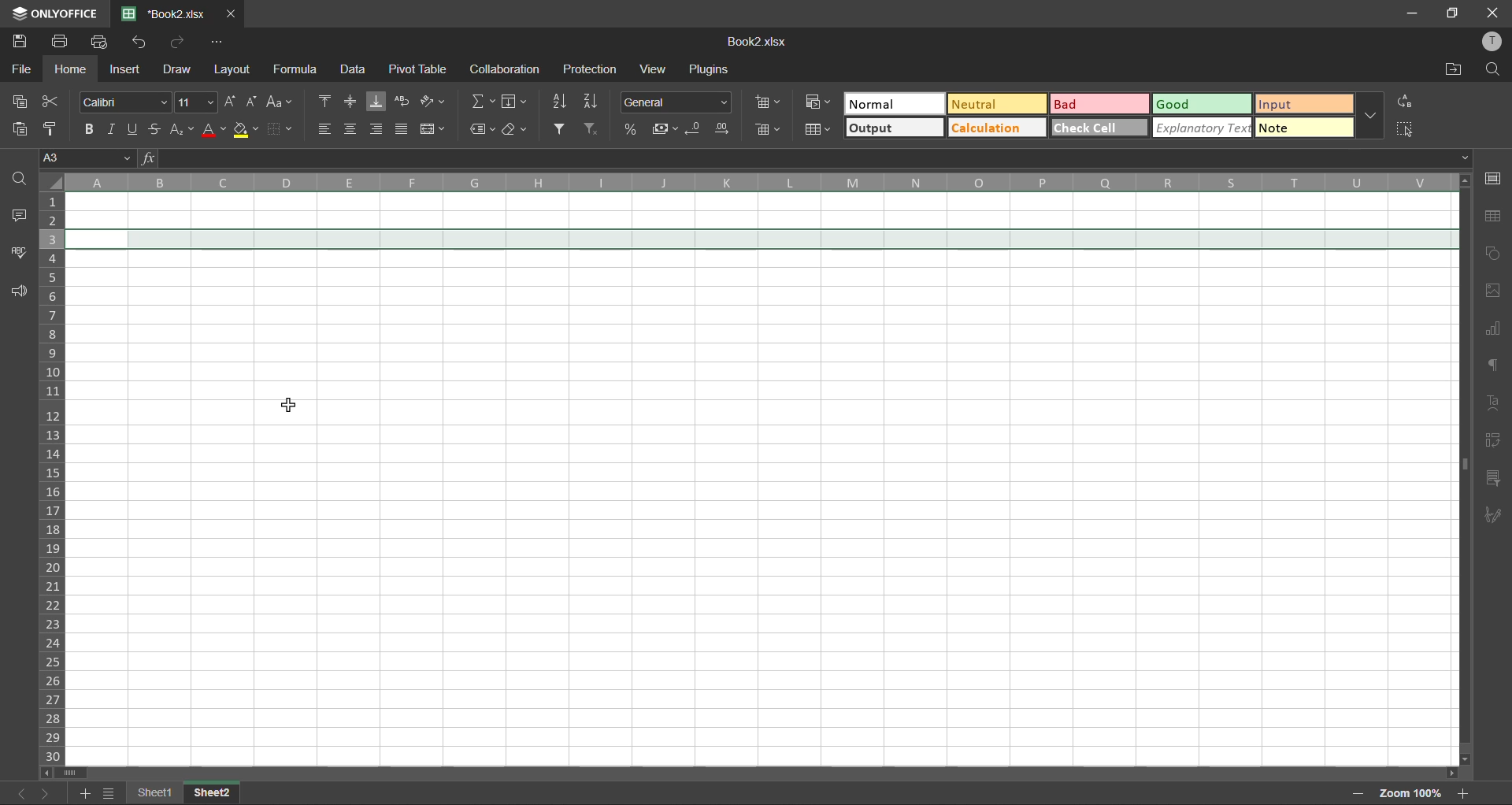 This screenshot has width=1512, height=805. What do you see at coordinates (72, 69) in the screenshot?
I see `home` at bounding box center [72, 69].